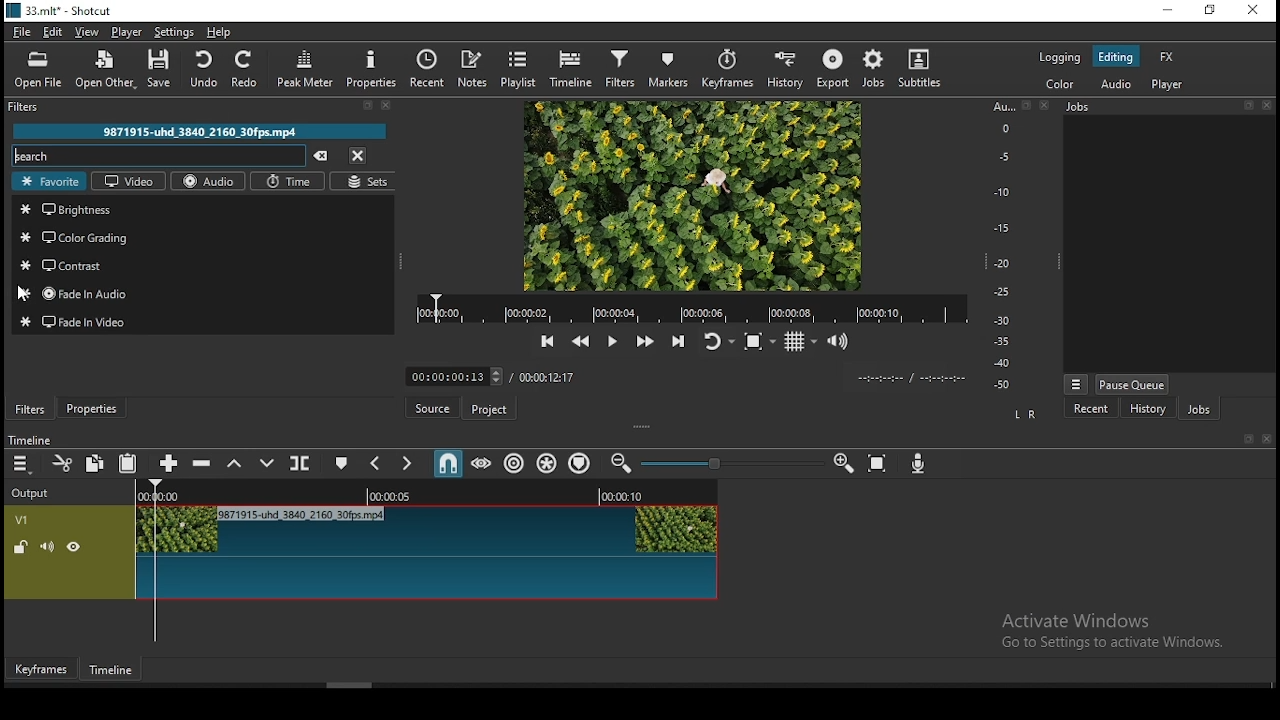  Describe the element at coordinates (1078, 106) in the screenshot. I see `` at that location.